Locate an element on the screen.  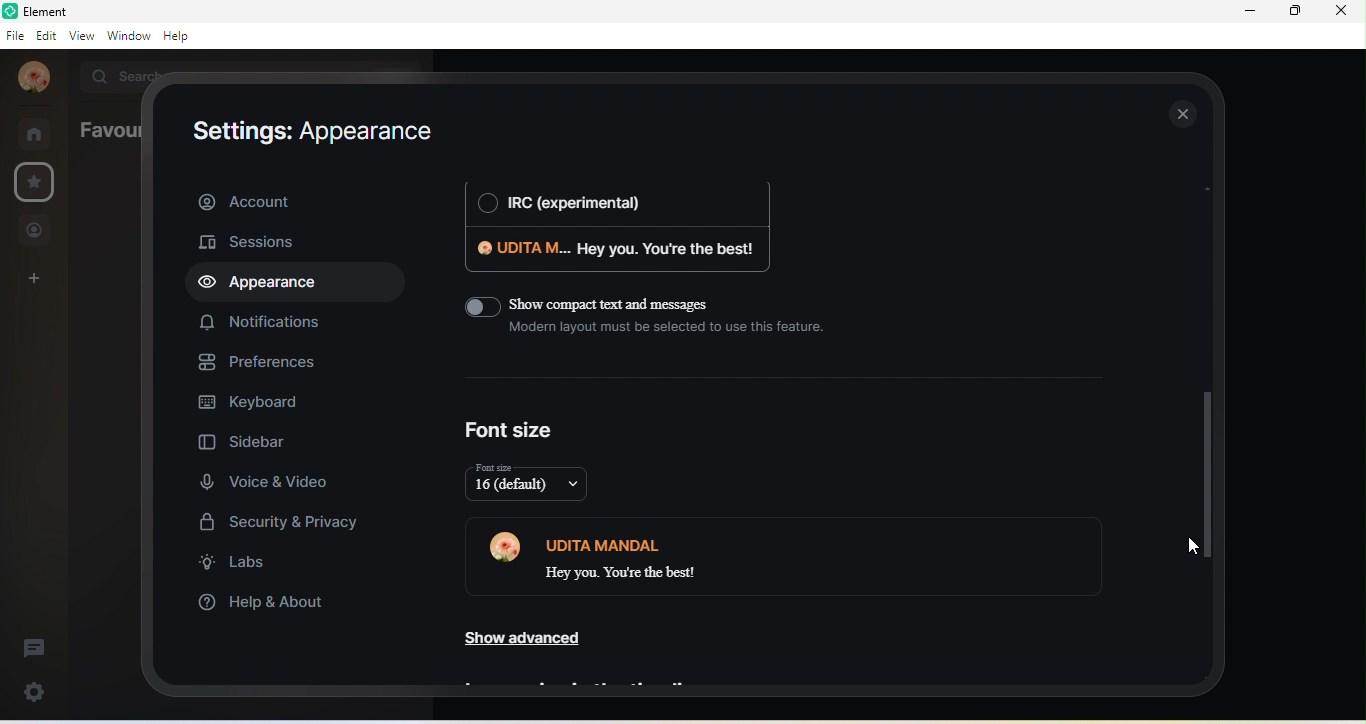
16  is located at coordinates (535, 484).